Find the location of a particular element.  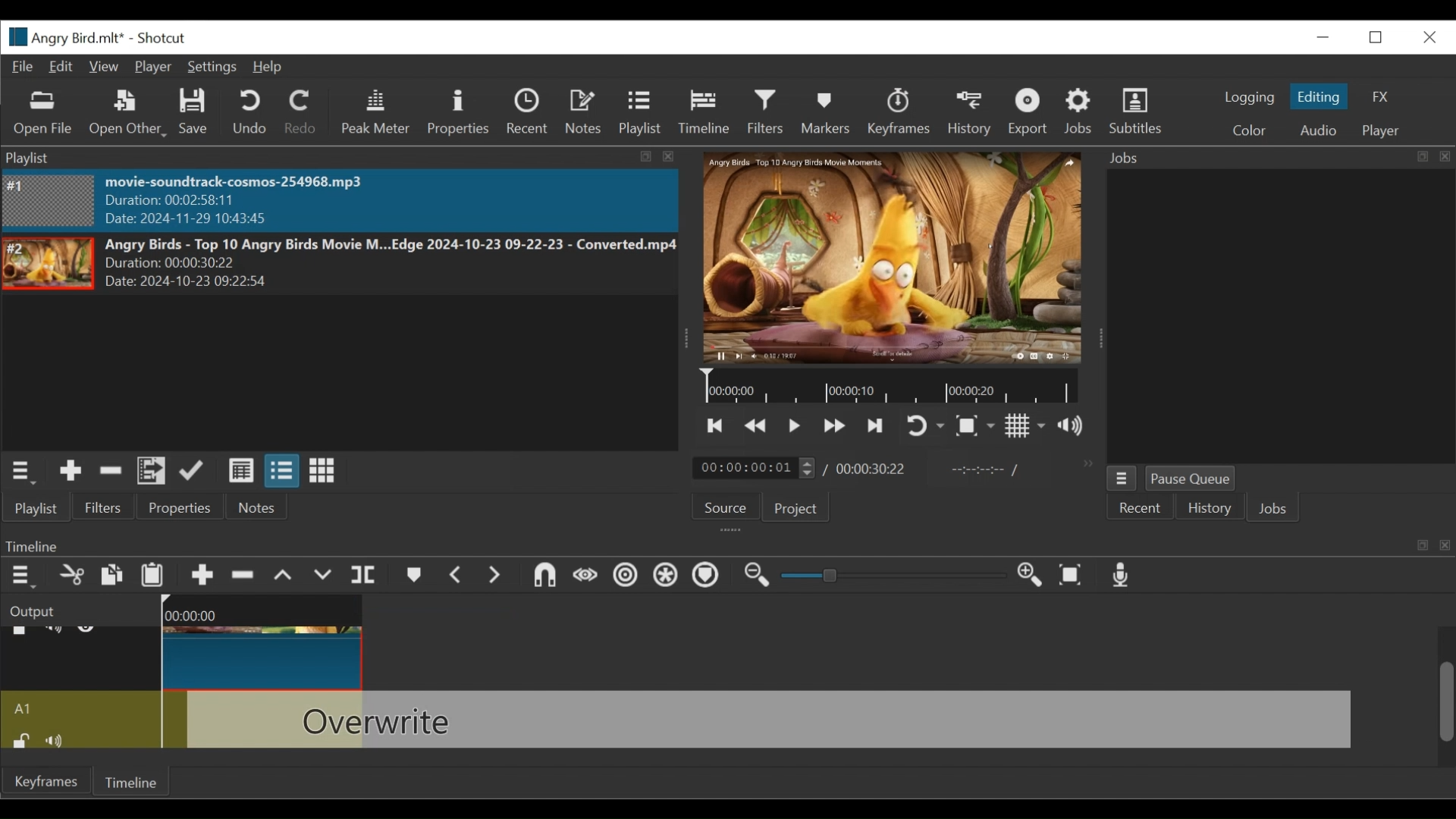

Skip to the next point is located at coordinates (877, 426).